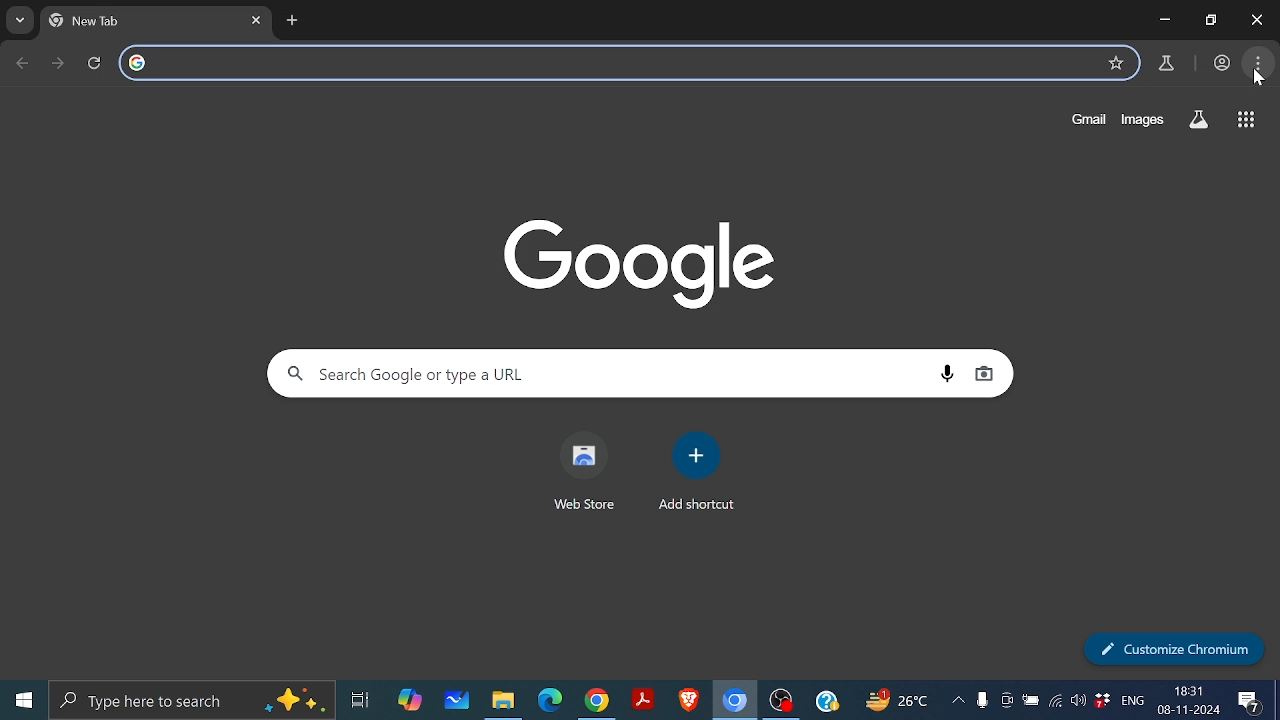  Describe the element at coordinates (22, 700) in the screenshot. I see `windows menu` at that location.